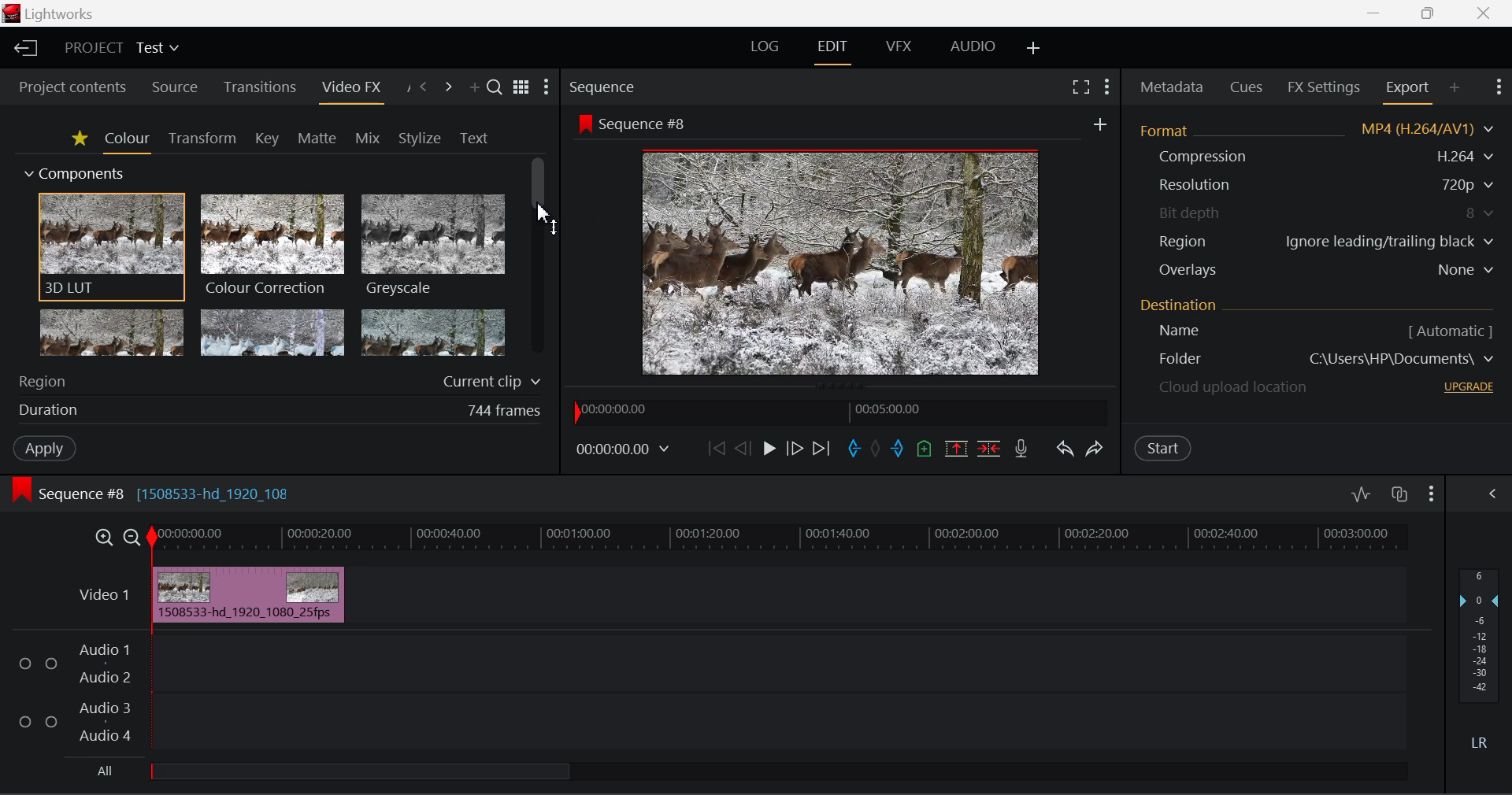 Image resolution: width=1512 pixels, height=795 pixels. What do you see at coordinates (272, 247) in the screenshot?
I see `Colour Correction` at bounding box center [272, 247].